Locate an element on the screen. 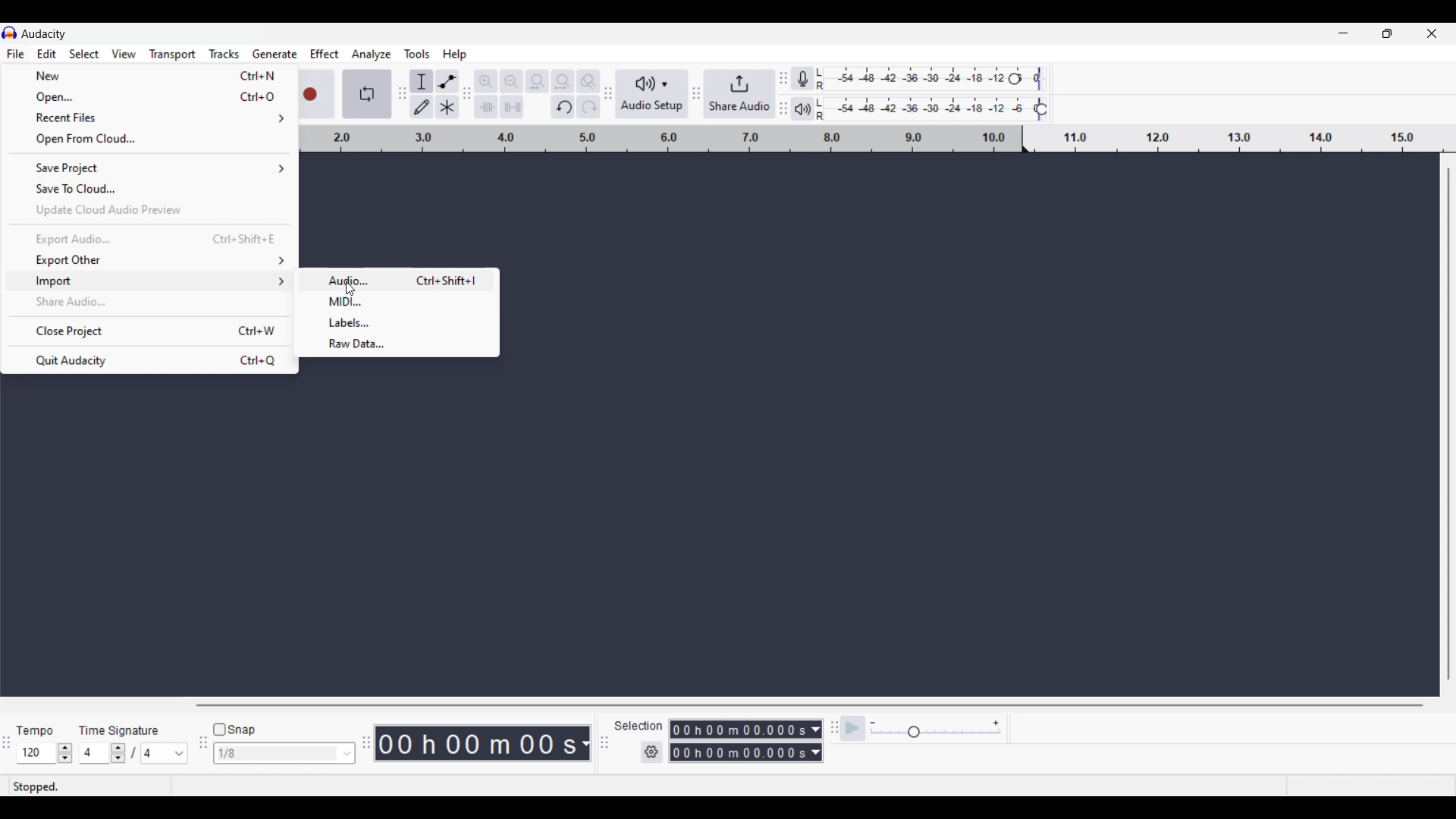 The height and width of the screenshot is (819, 1456). Tools menu is located at coordinates (418, 55).